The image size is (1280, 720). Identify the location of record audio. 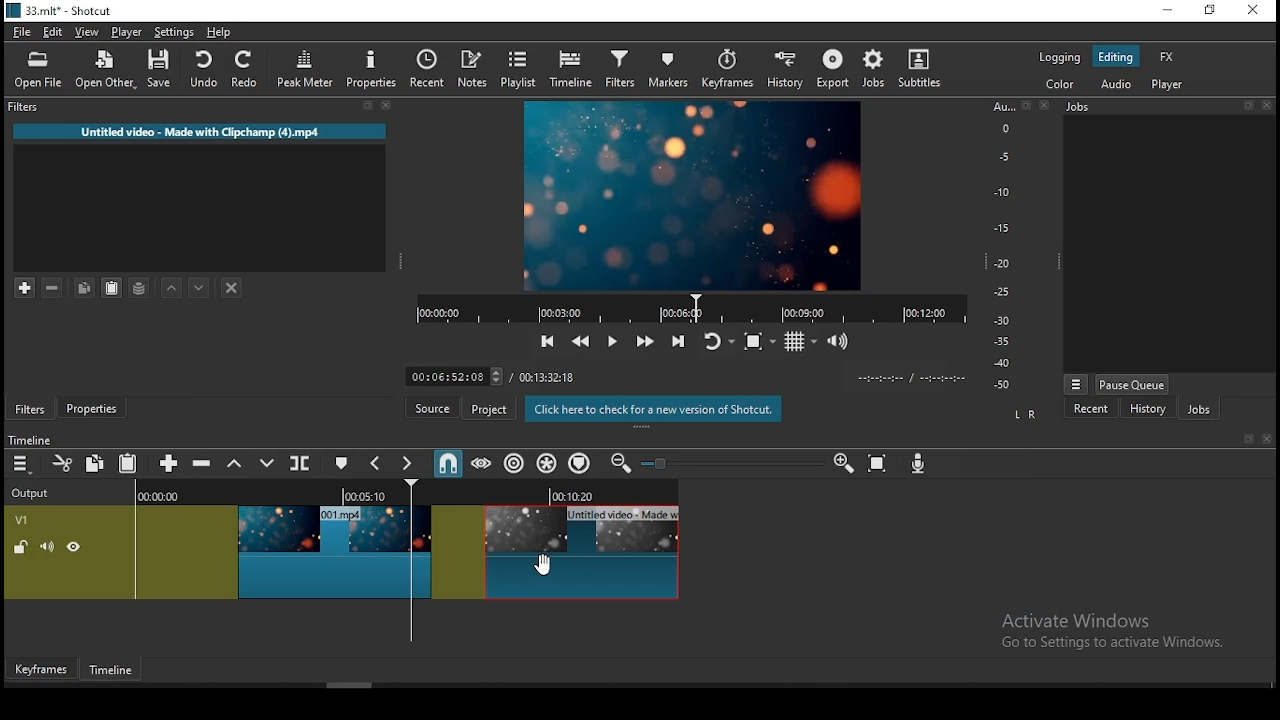
(920, 466).